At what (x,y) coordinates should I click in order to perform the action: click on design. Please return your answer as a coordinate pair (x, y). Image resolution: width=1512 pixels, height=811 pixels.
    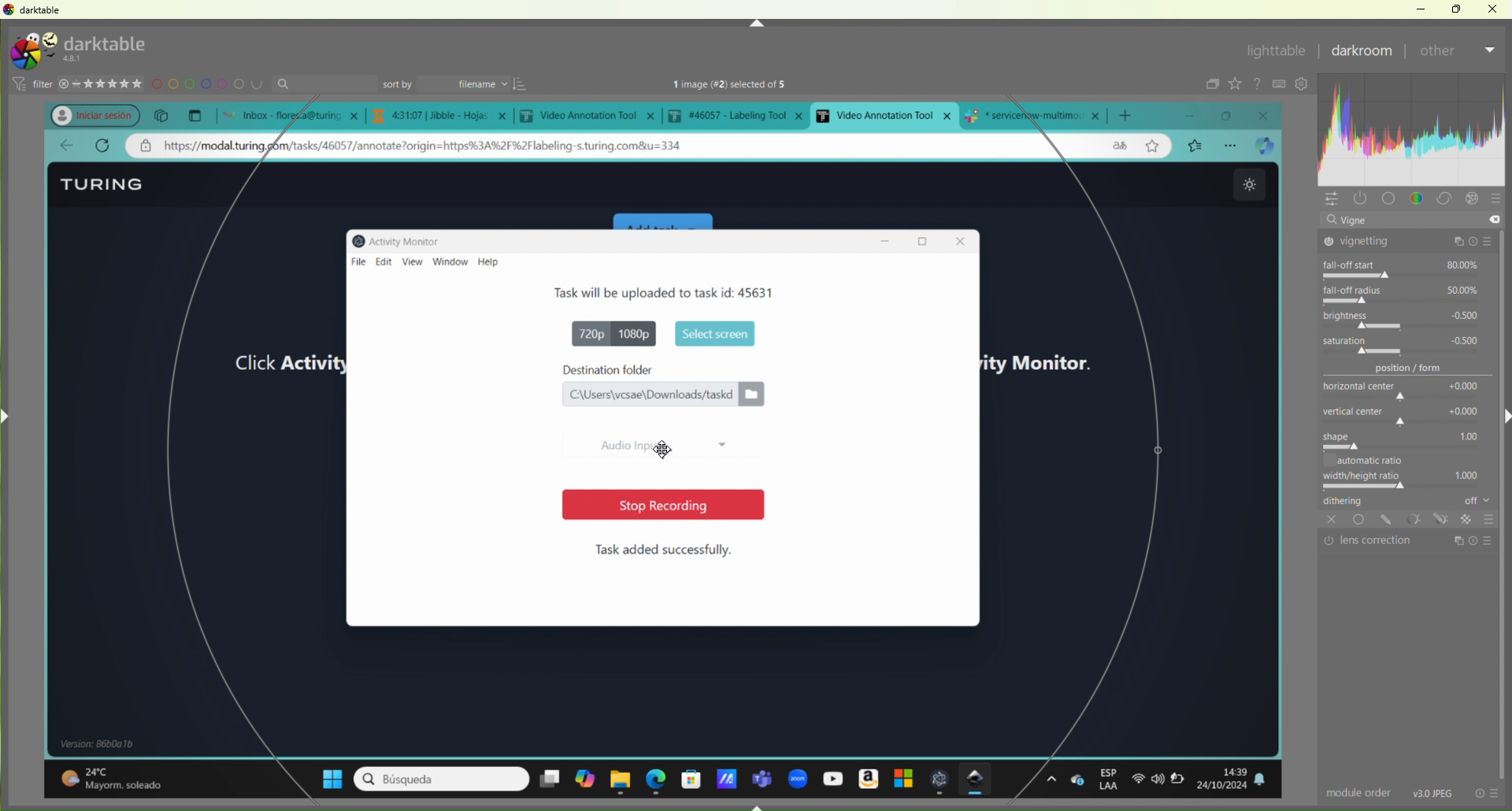
    Looking at the image, I should click on (209, 85).